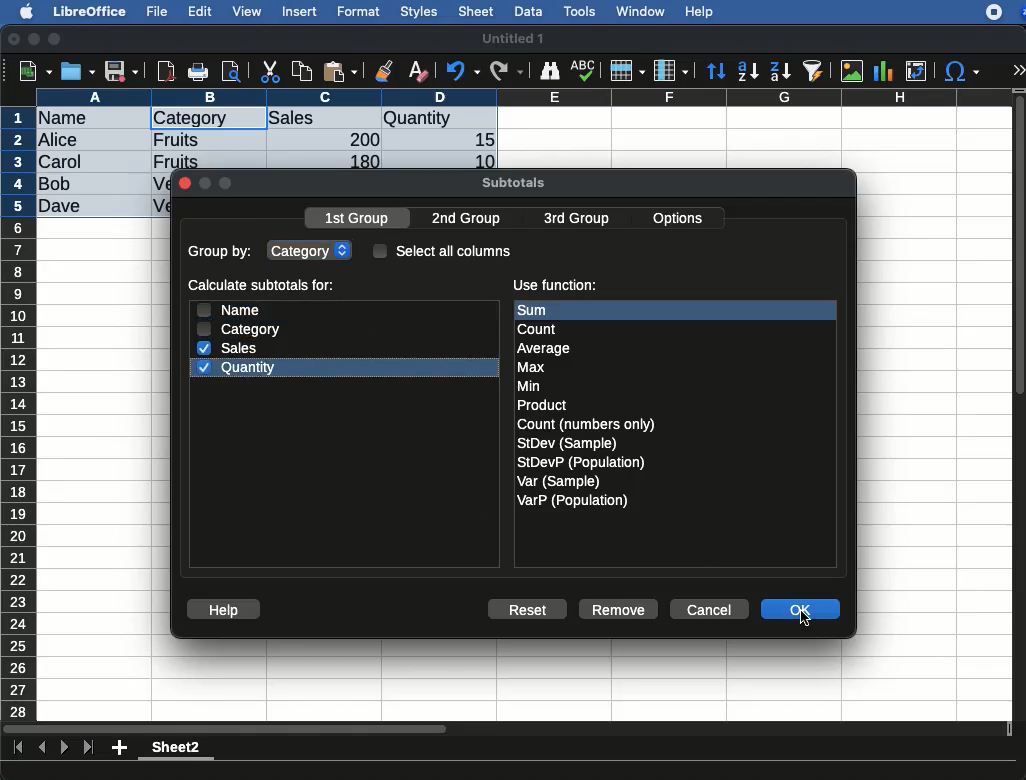 The image size is (1026, 780). What do you see at coordinates (443, 250) in the screenshot?
I see `select all columns` at bounding box center [443, 250].